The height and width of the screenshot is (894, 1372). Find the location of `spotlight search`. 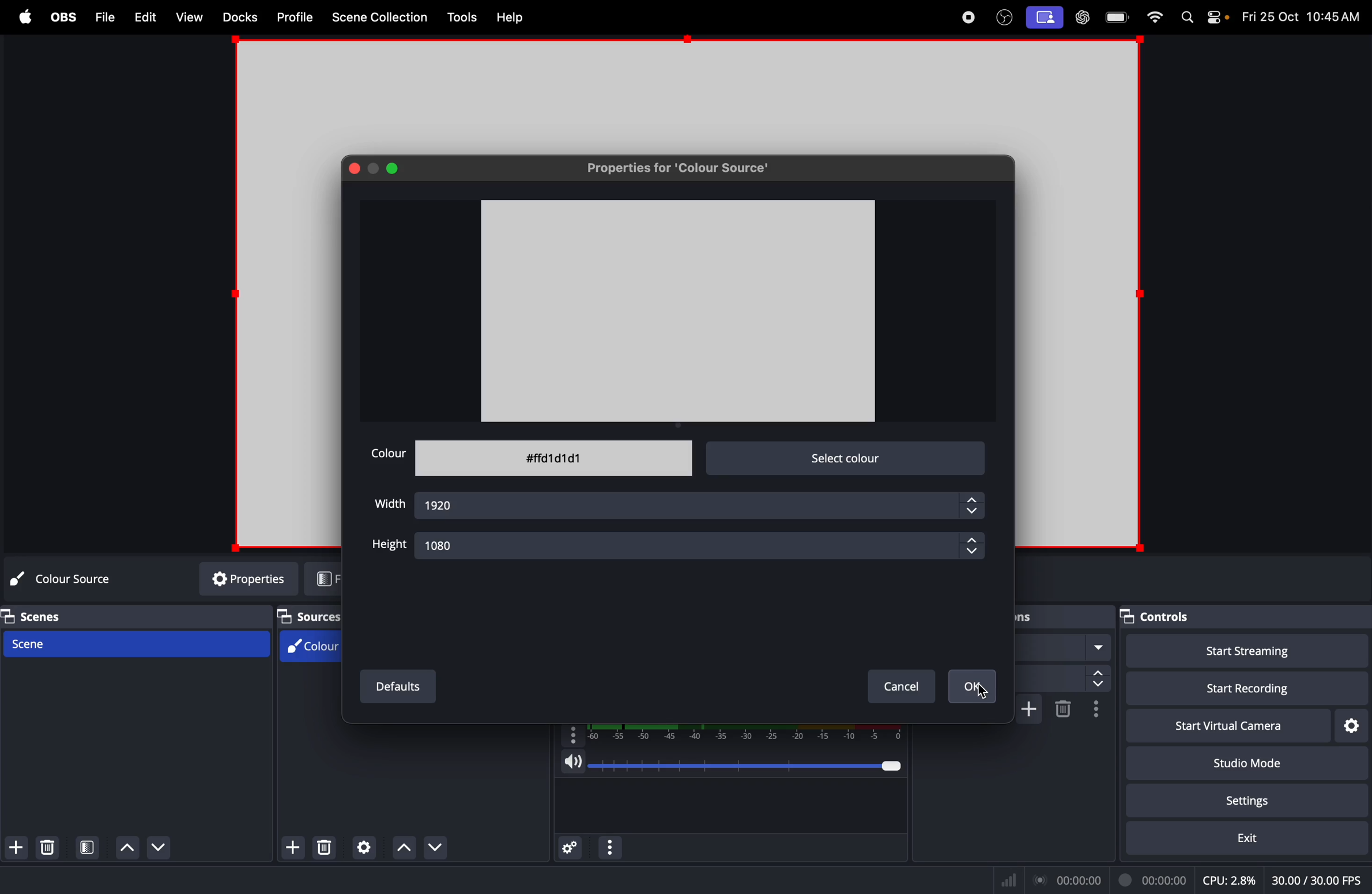

spotlight search is located at coordinates (1188, 17).